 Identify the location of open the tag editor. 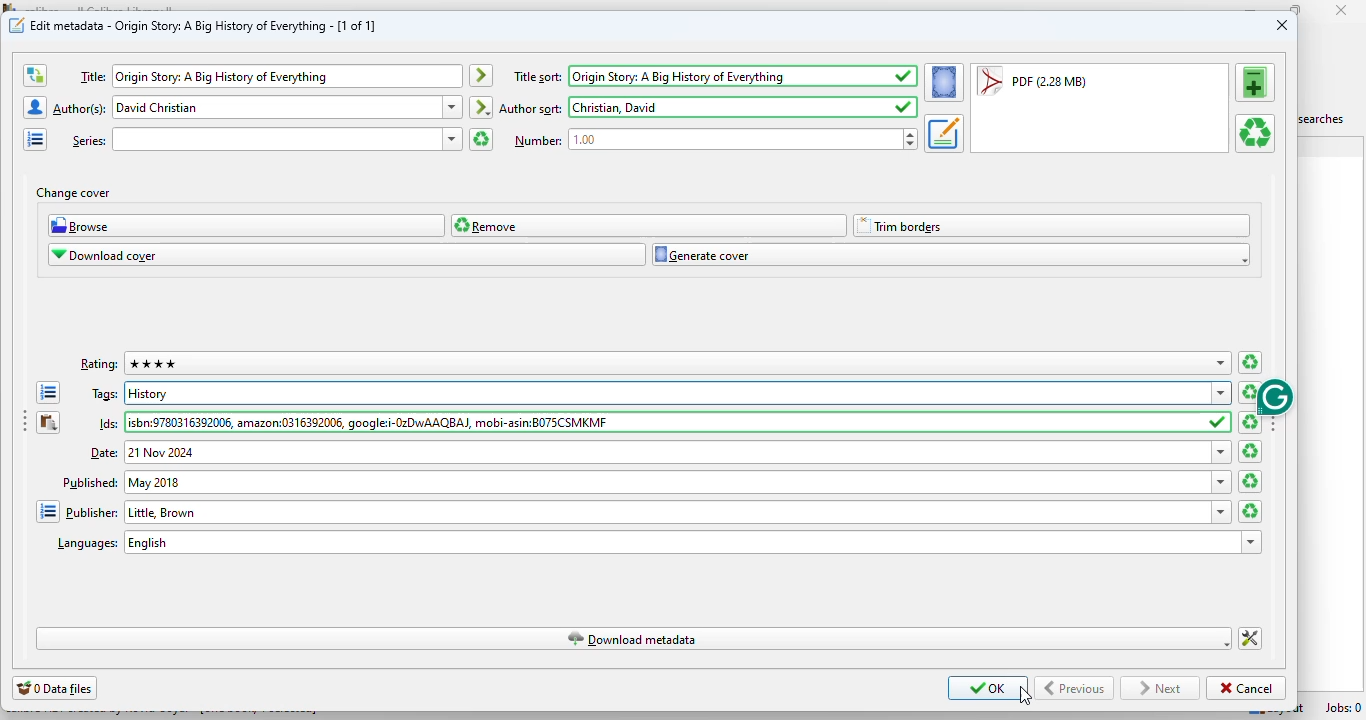
(47, 393).